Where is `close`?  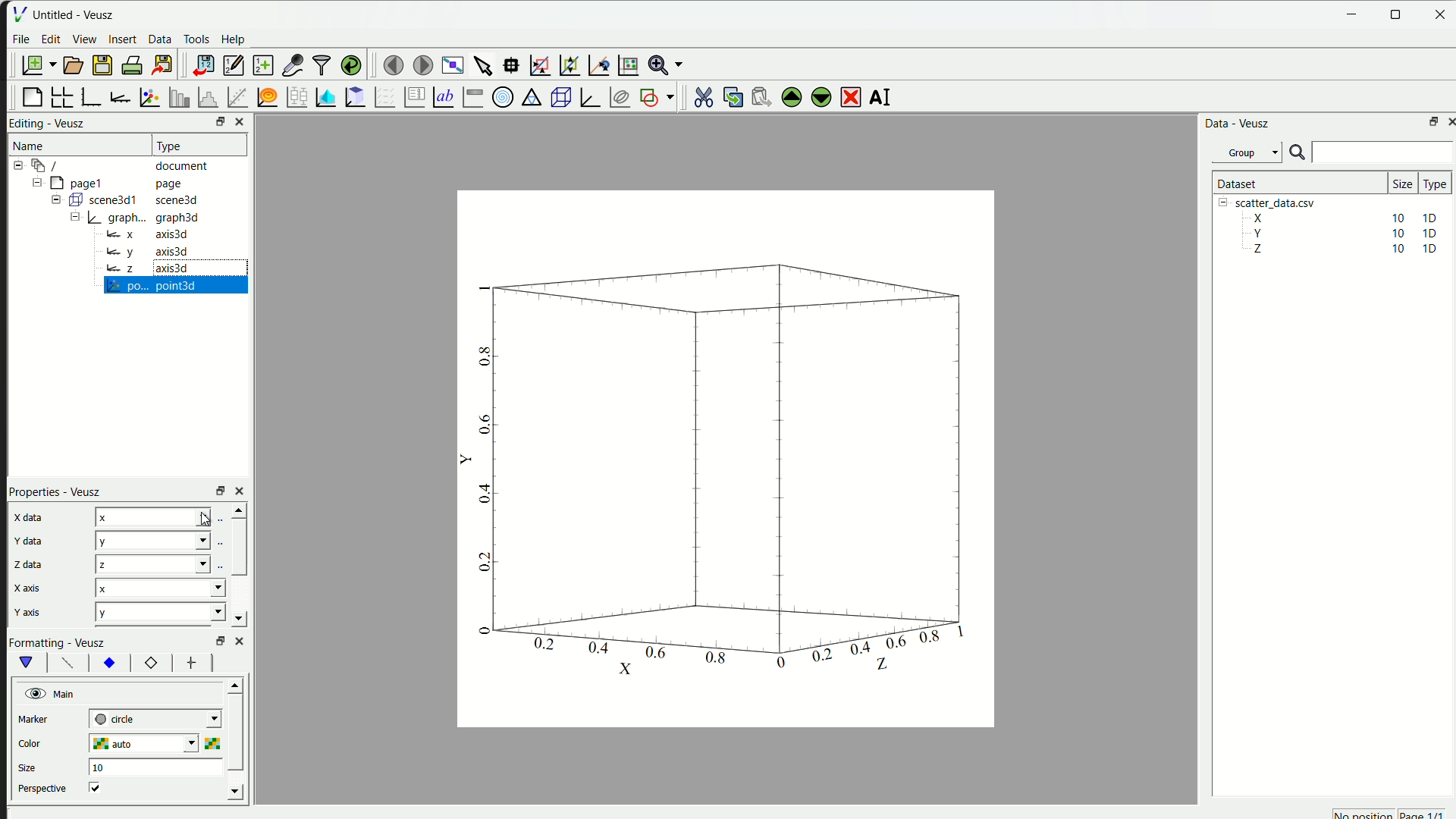 close is located at coordinates (1448, 121).